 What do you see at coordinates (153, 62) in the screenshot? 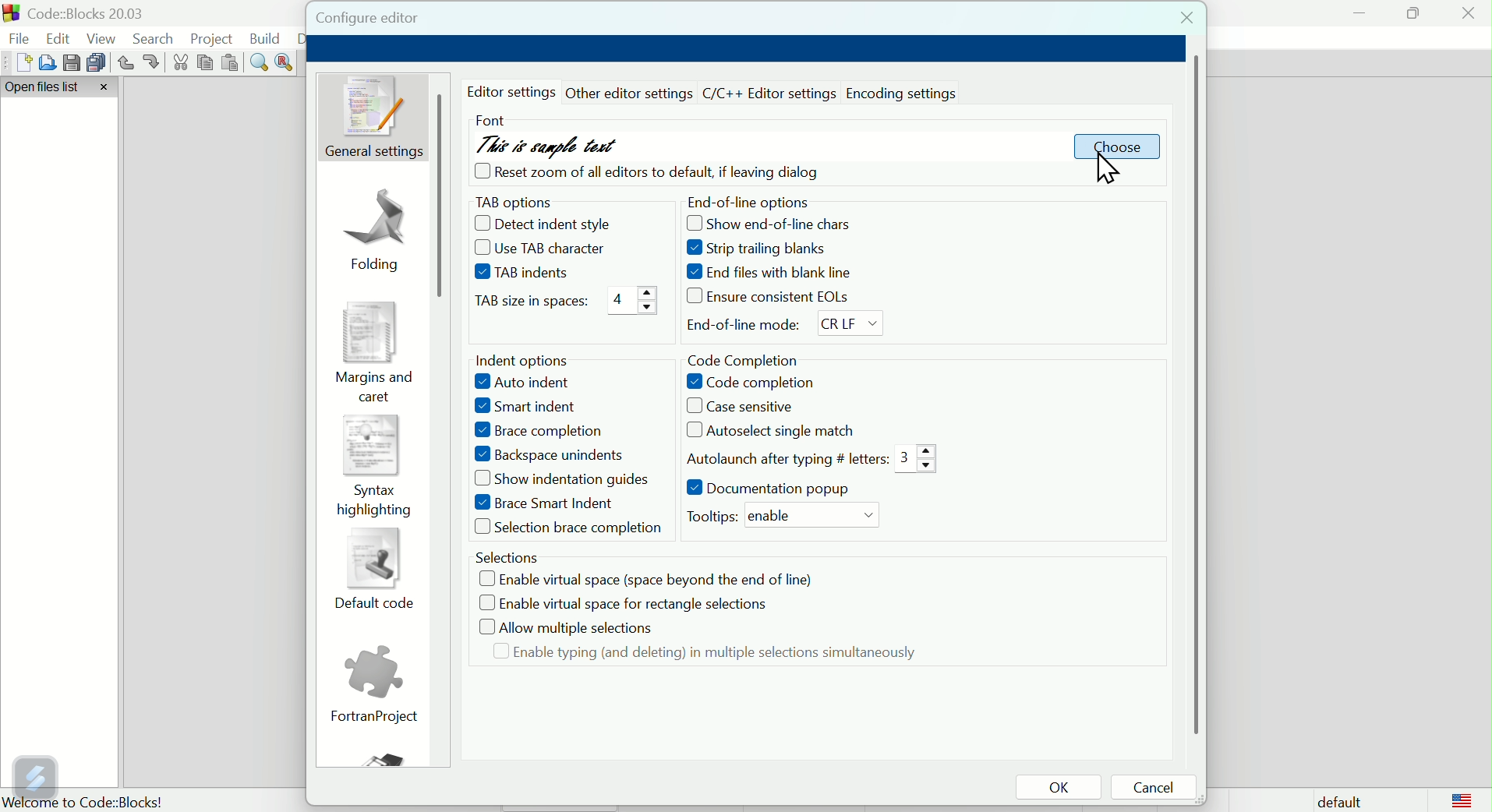
I see `redo` at bounding box center [153, 62].